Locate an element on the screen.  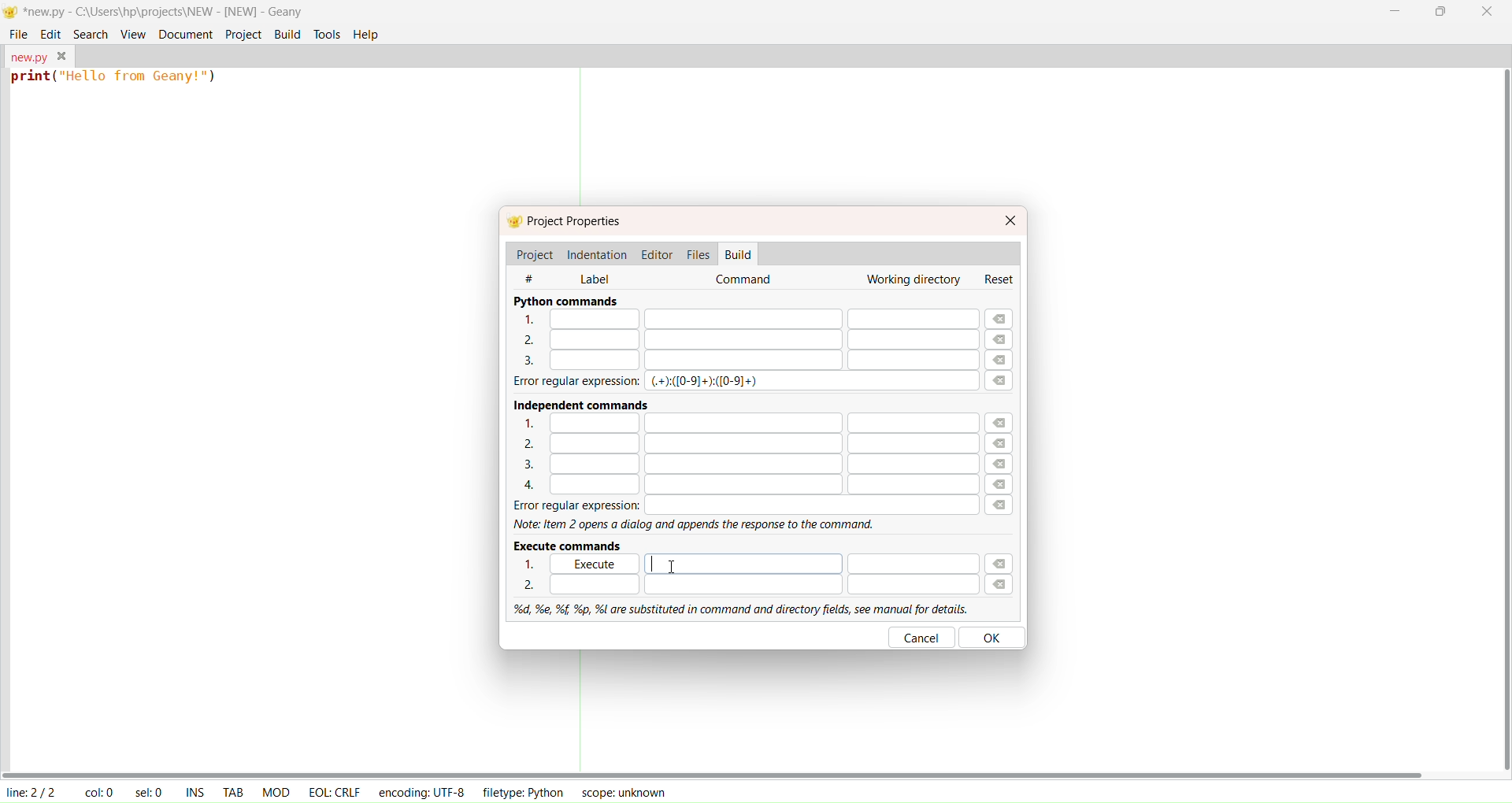
help is located at coordinates (367, 35).